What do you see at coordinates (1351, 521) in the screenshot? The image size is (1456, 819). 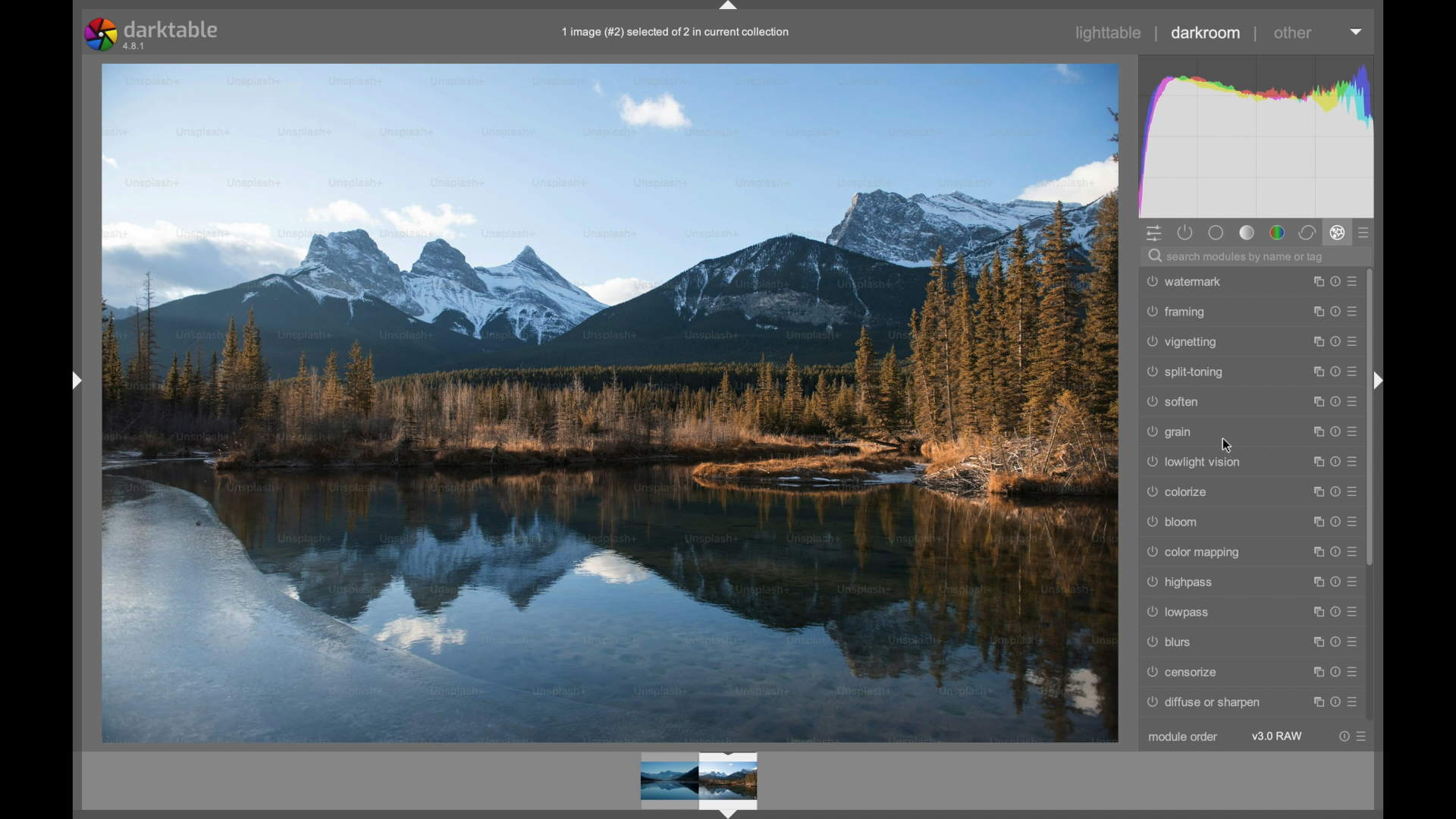 I see `prestets` at bounding box center [1351, 521].